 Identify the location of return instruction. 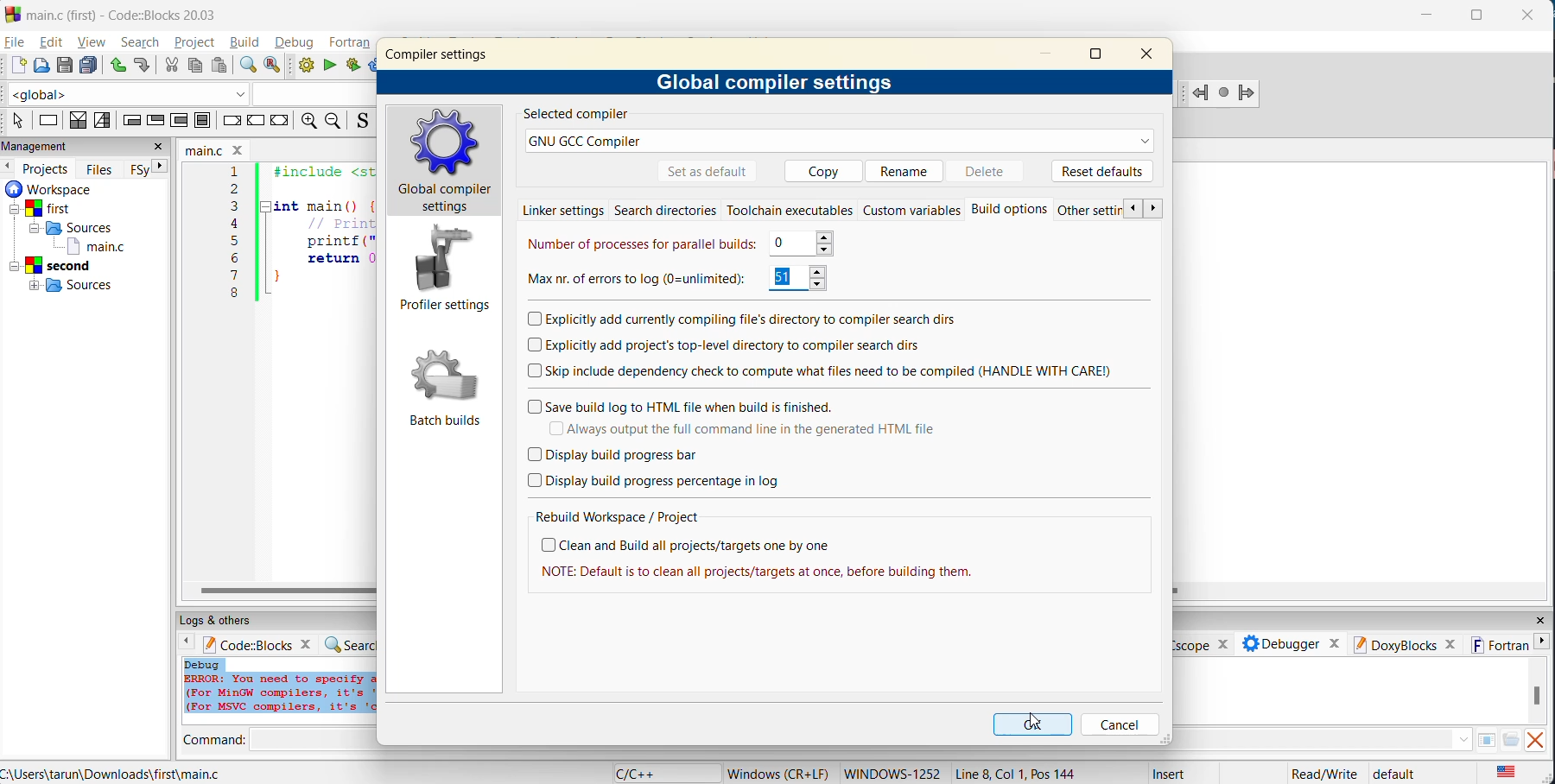
(280, 120).